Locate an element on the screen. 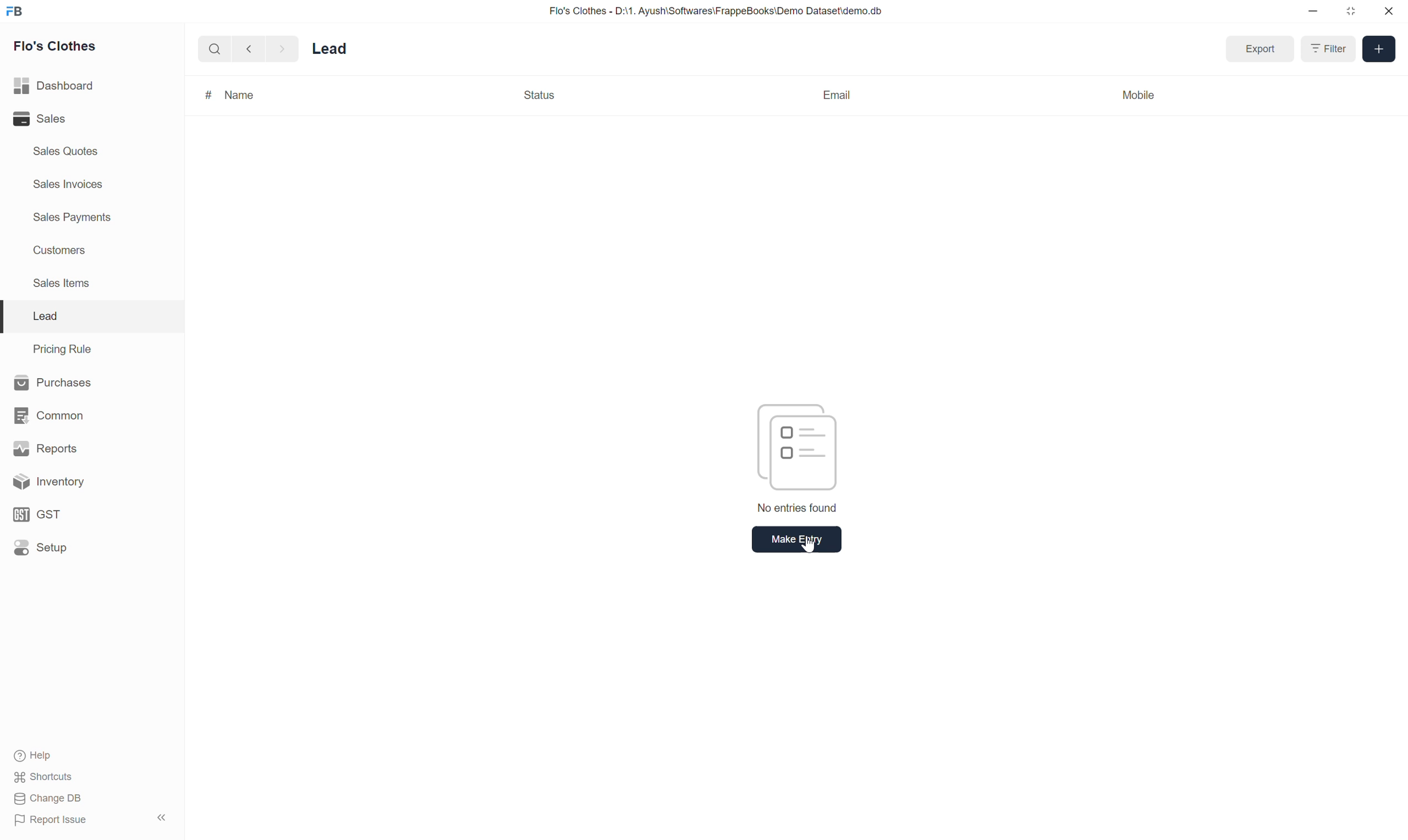  Flo's Clothes is located at coordinates (60, 46).